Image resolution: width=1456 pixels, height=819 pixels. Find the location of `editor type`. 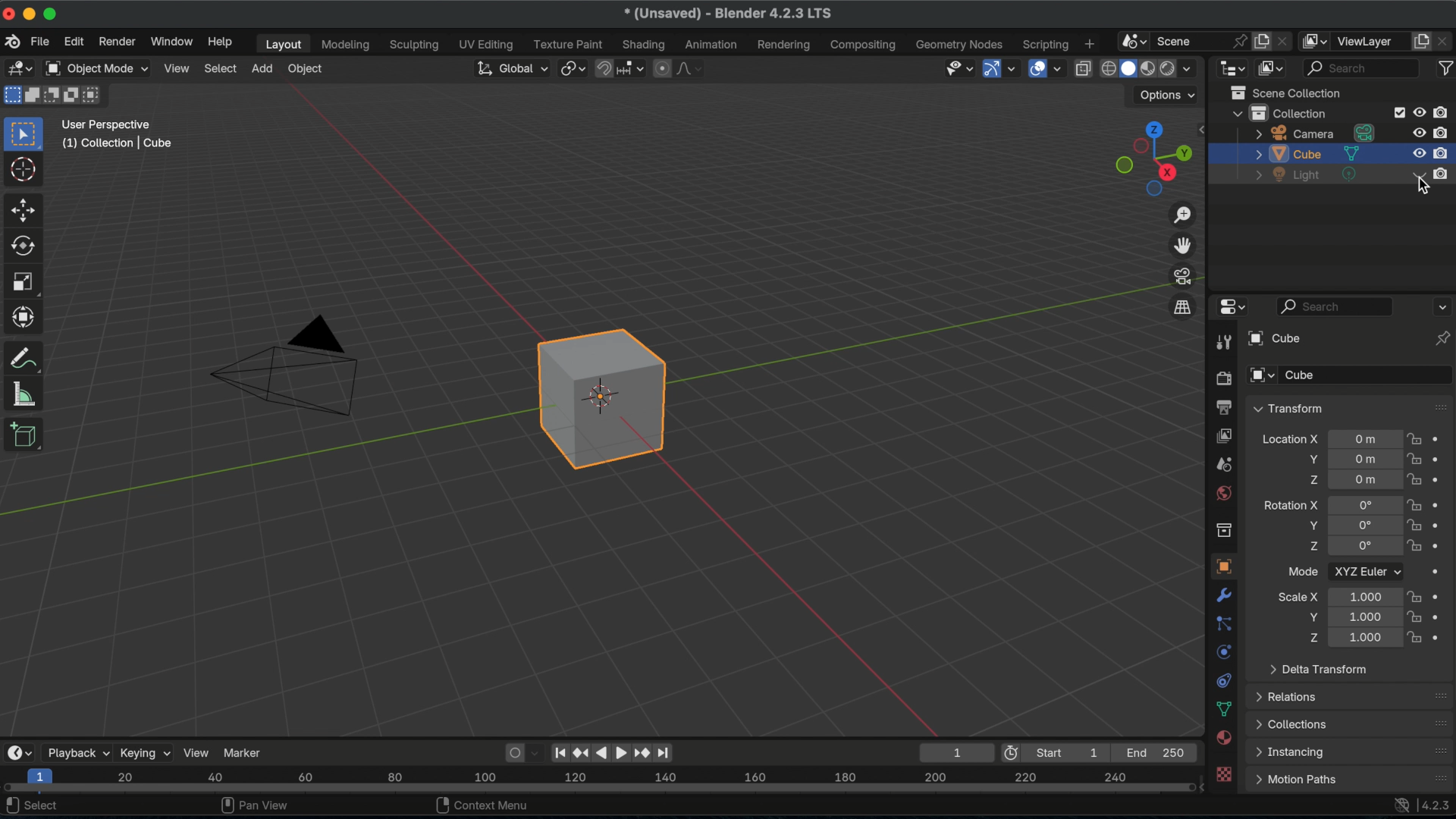

editor type is located at coordinates (1232, 68).